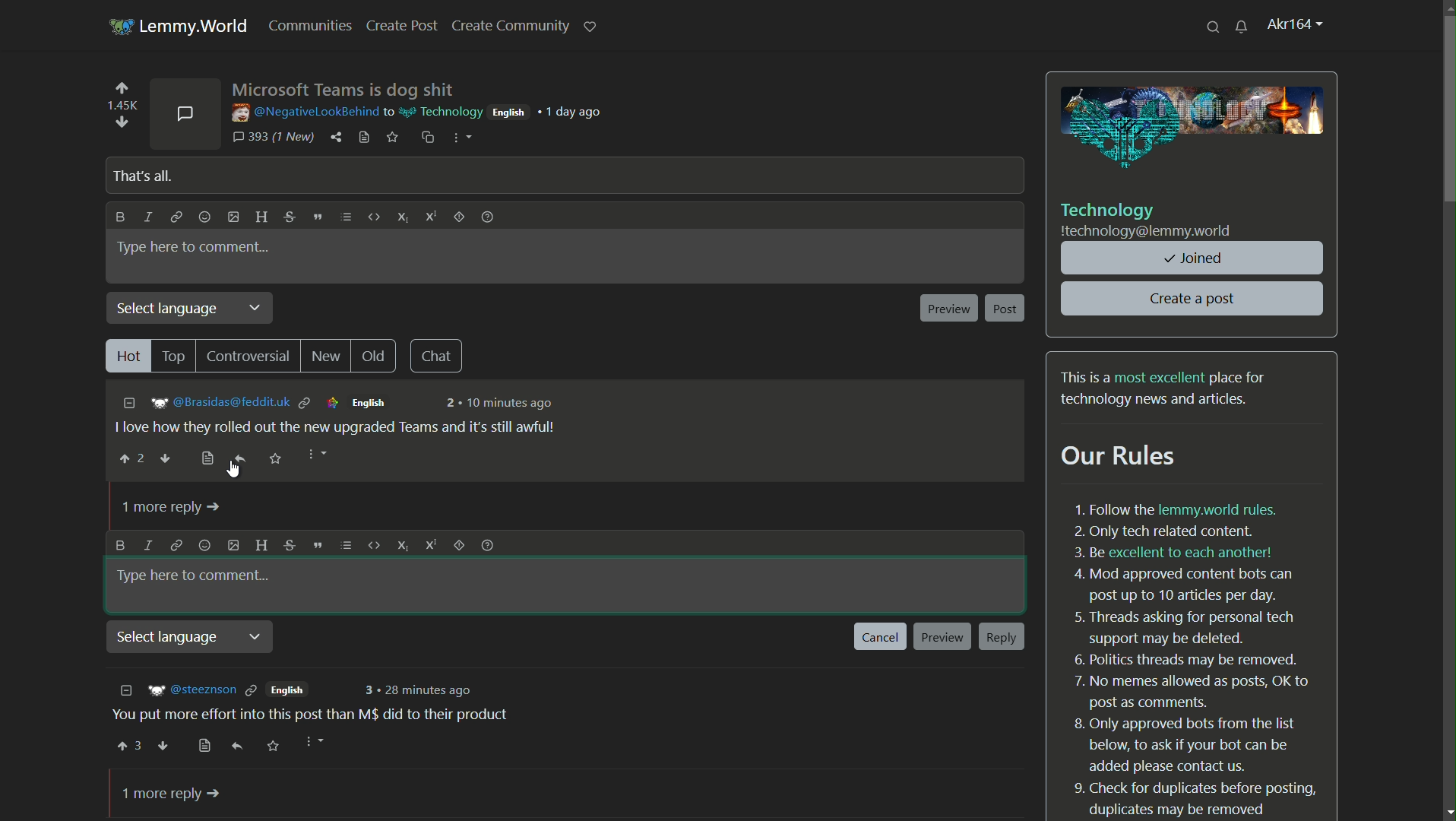 Image resolution: width=1456 pixels, height=821 pixels. Describe the element at coordinates (173, 509) in the screenshot. I see `1 more reply` at that location.